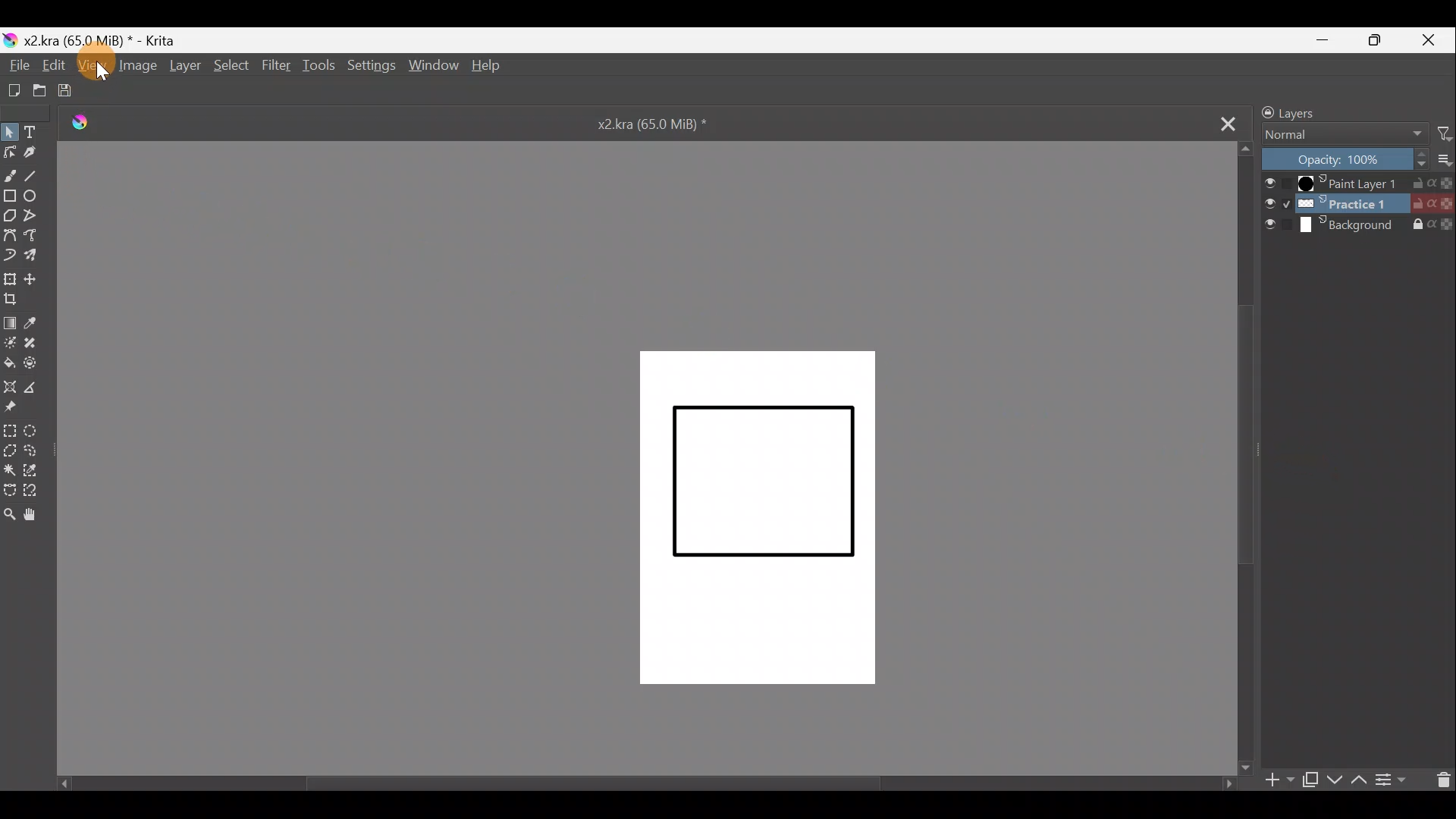 The height and width of the screenshot is (819, 1456). Describe the element at coordinates (39, 347) in the screenshot. I see `Smart patch tool` at that location.